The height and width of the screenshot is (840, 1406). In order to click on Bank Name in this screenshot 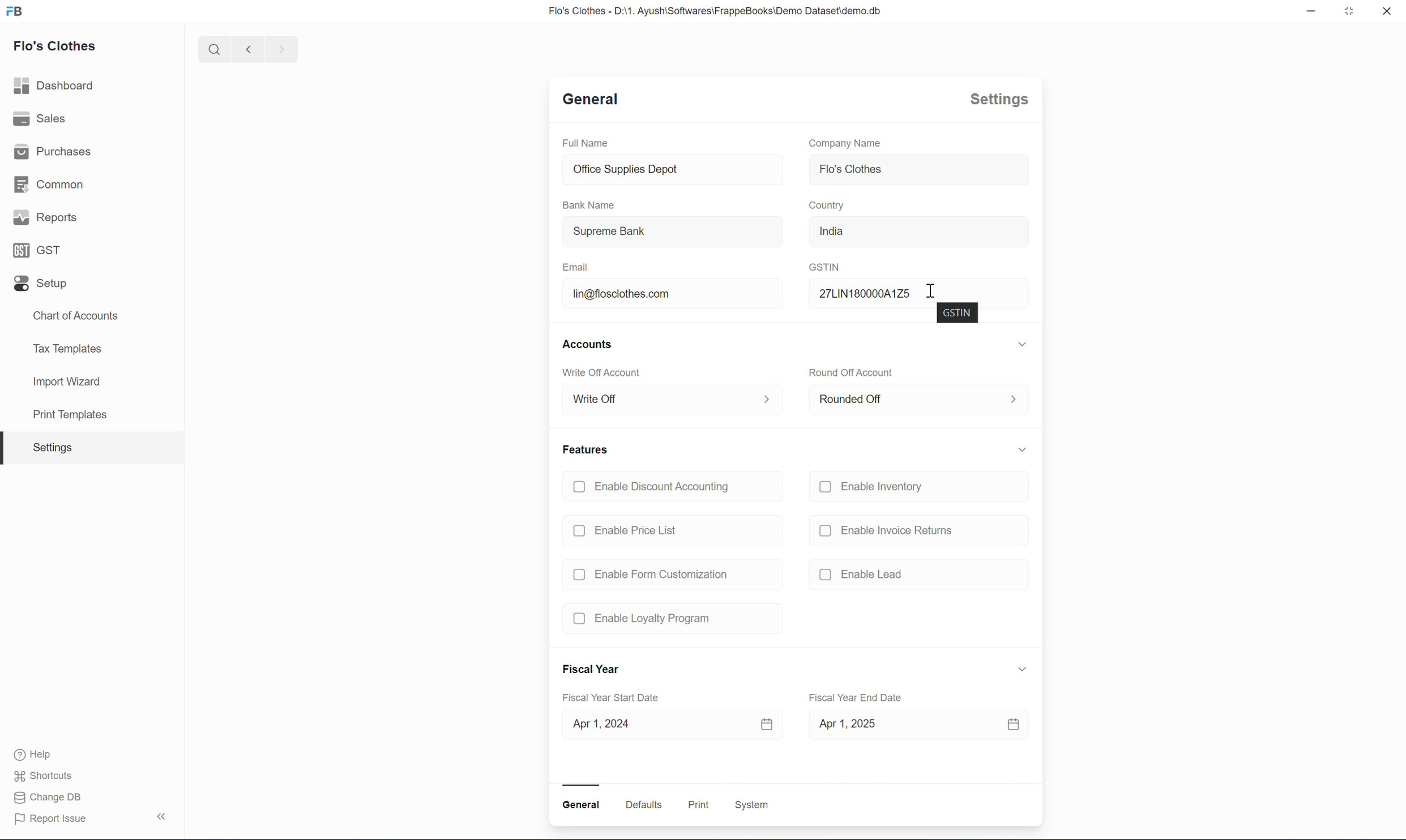, I will do `click(588, 204)`.